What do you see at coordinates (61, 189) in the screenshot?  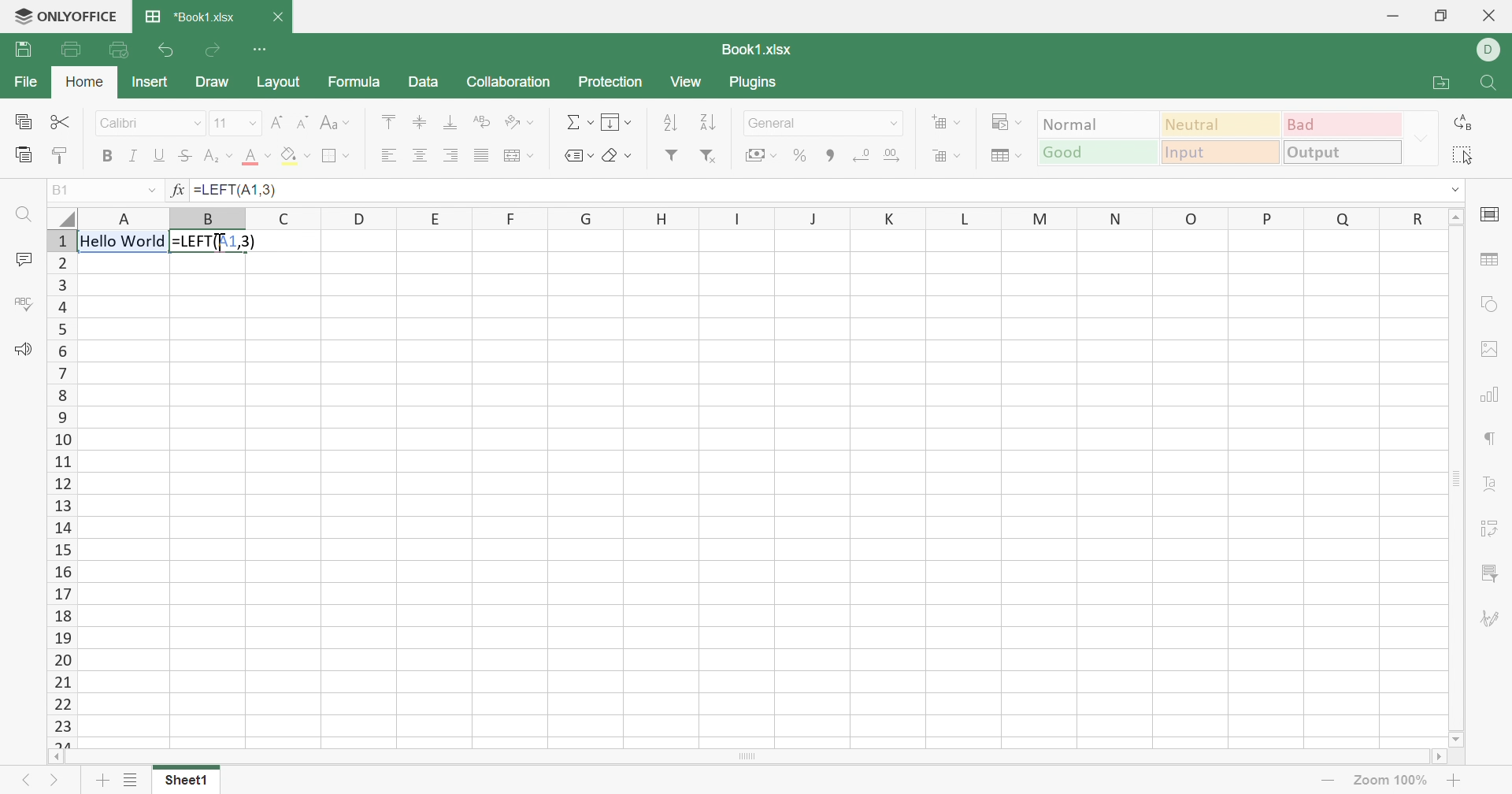 I see `B1` at bounding box center [61, 189].